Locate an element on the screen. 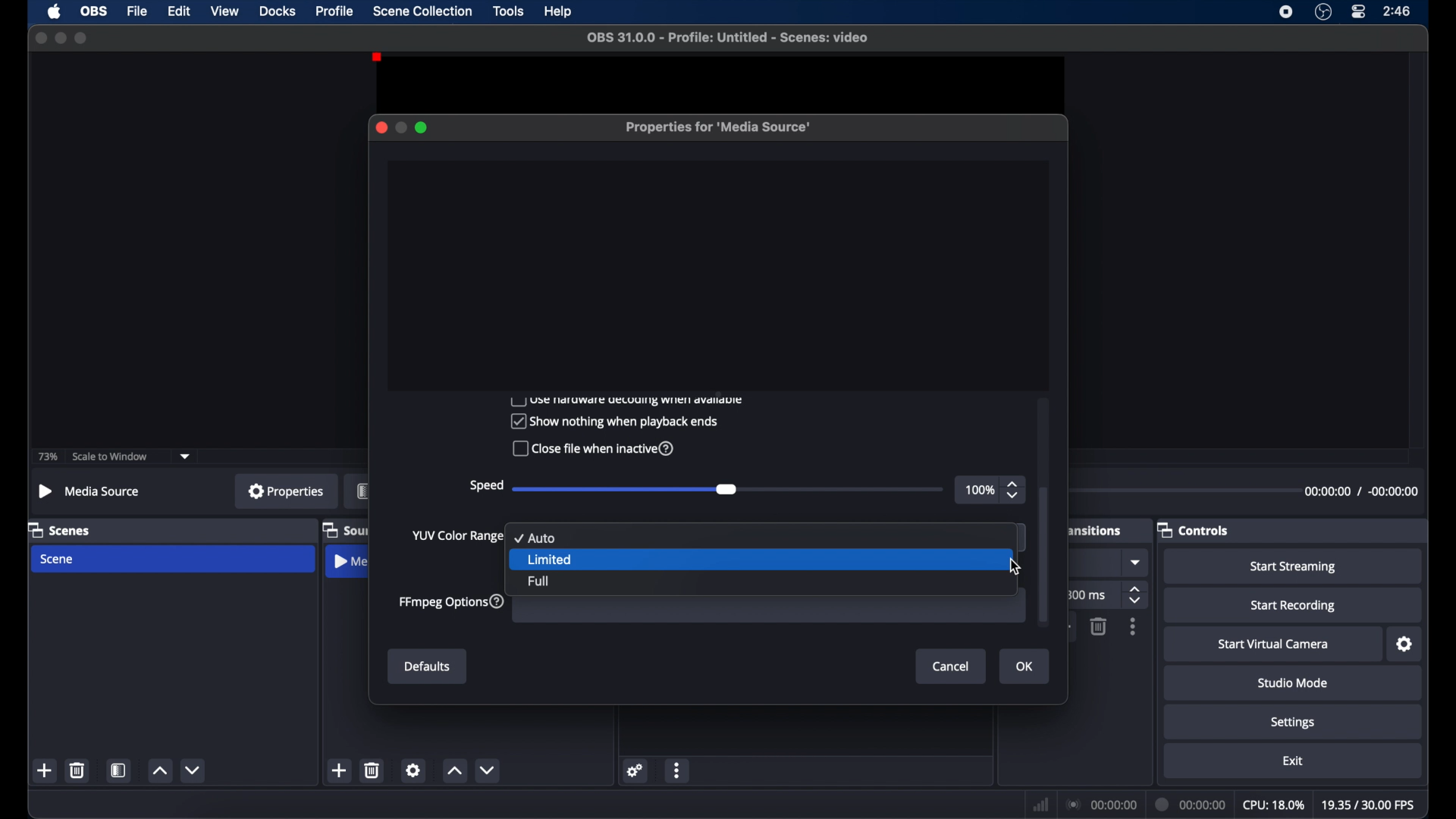 This screenshot has width=1456, height=819. settings is located at coordinates (1293, 722).